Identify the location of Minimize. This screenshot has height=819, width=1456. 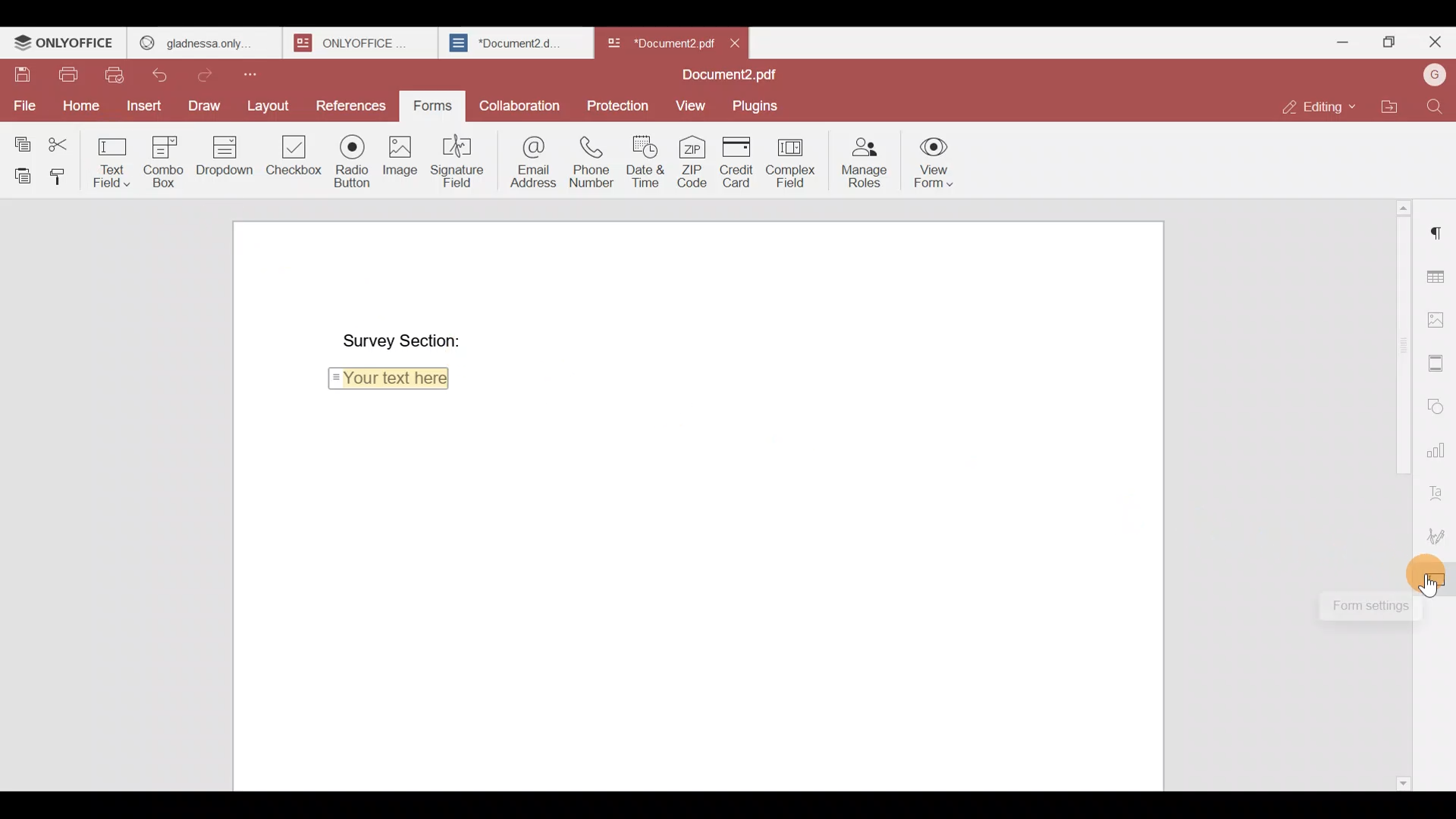
(1348, 42).